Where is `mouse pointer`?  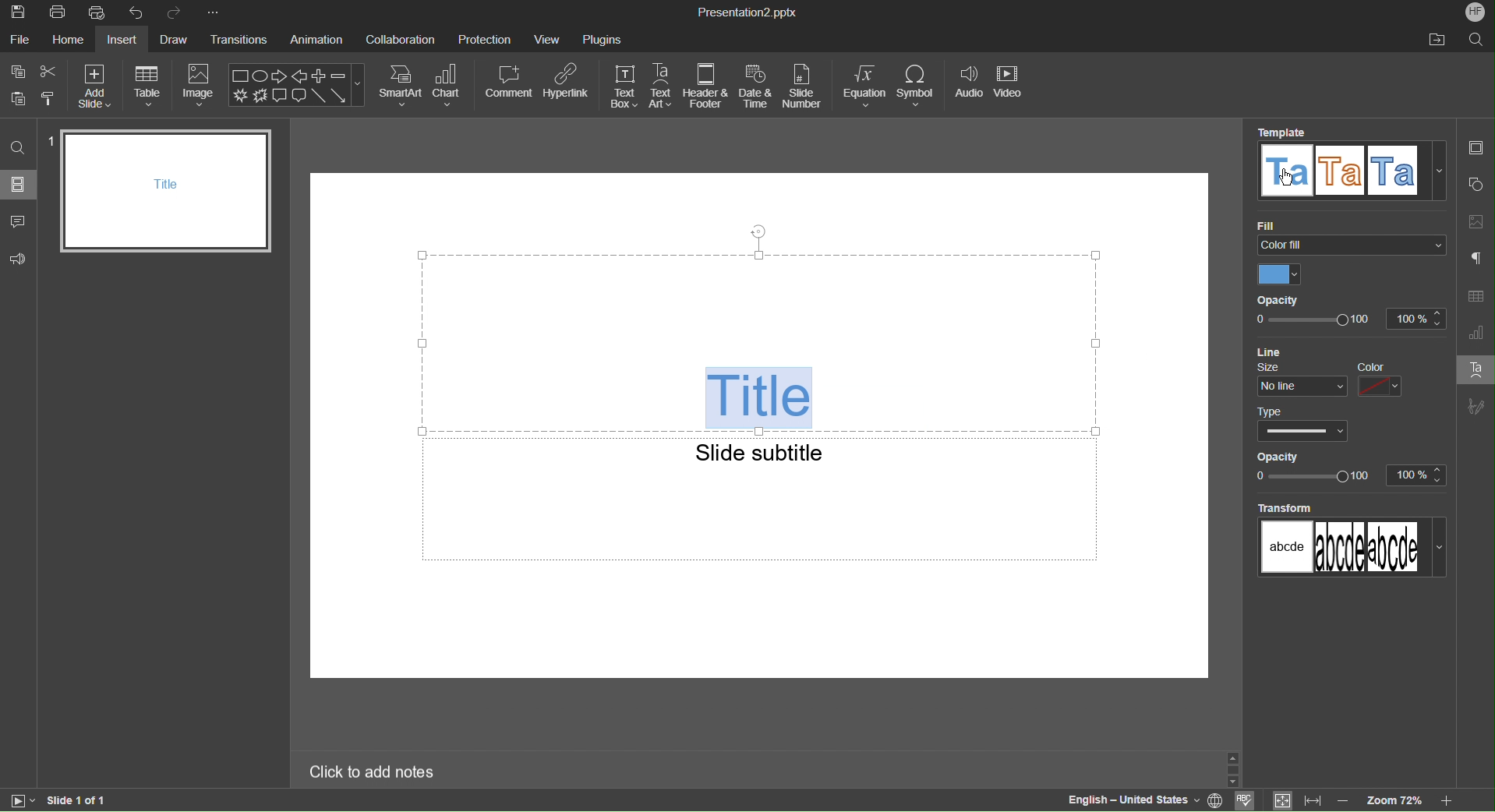 mouse pointer is located at coordinates (1288, 181).